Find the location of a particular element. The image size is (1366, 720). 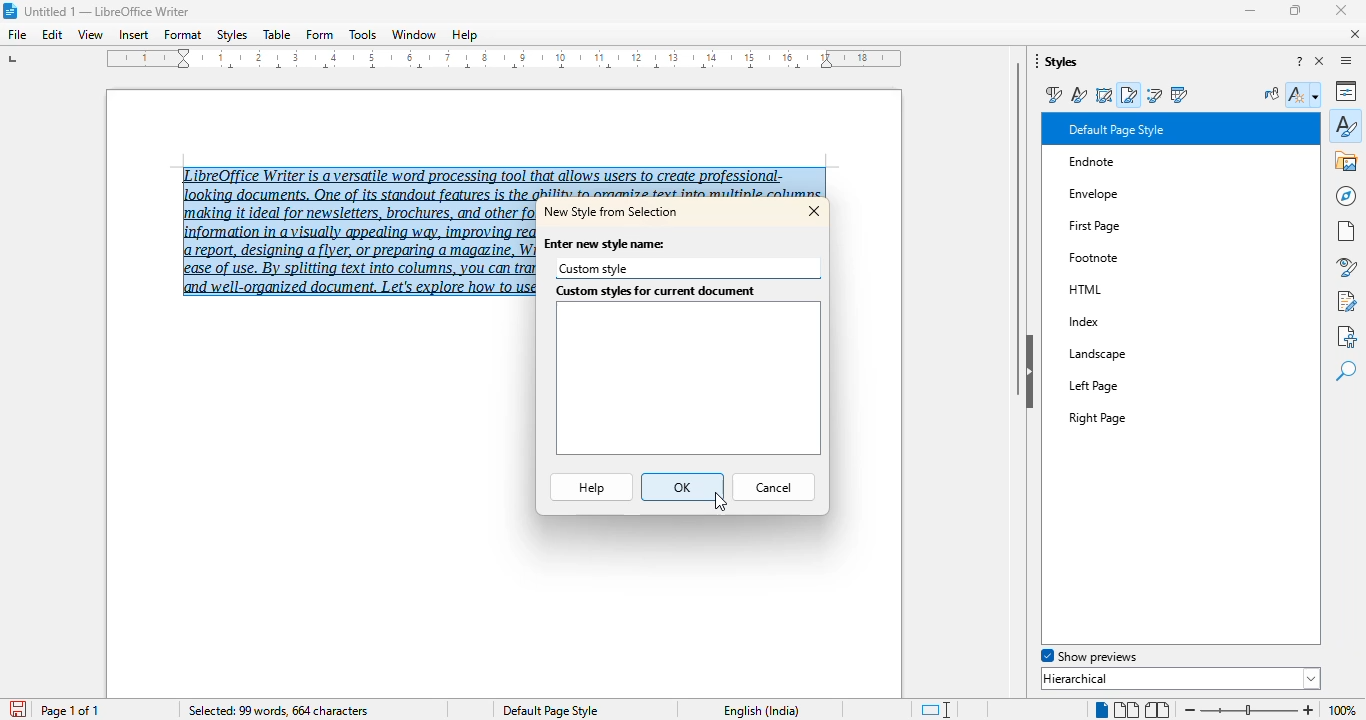

zoom out is located at coordinates (1188, 709).